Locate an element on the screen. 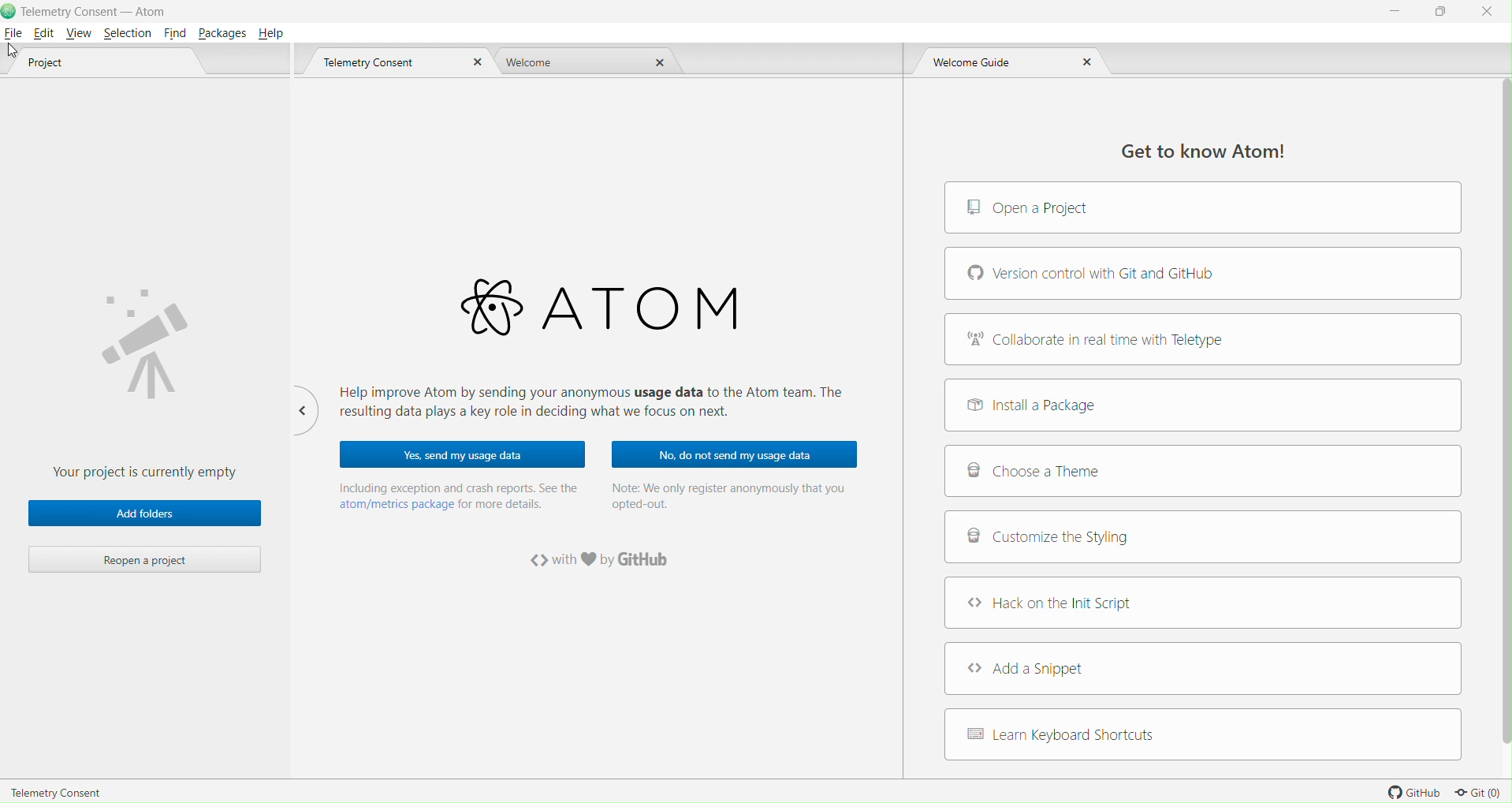 The width and height of the screenshot is (1512, 803). Selection is located at coordinates (126, 32).